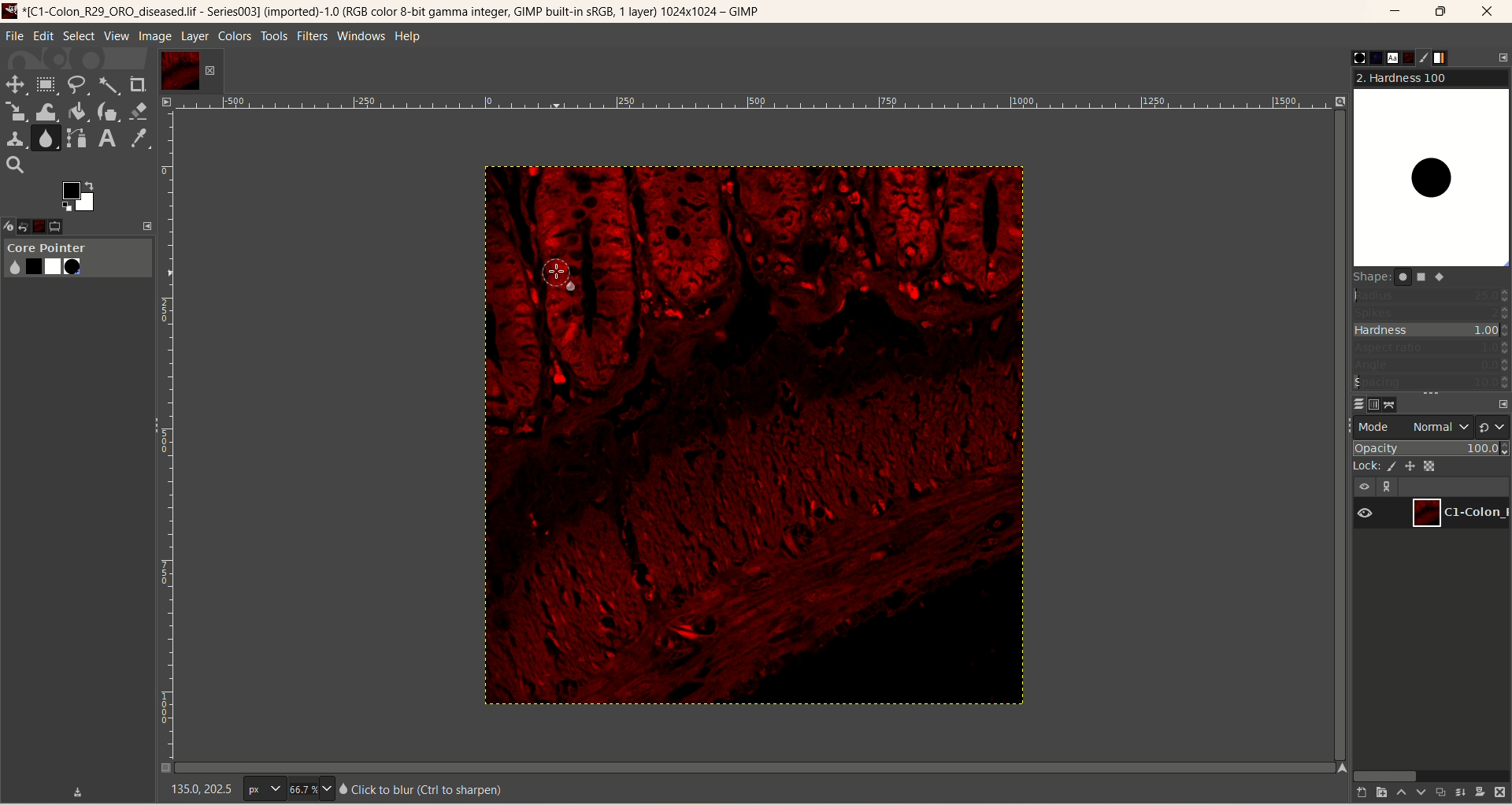 The height and width of the screenshot is (805, 1512). Describe the element at coordinates (139, 139) in the screenshot. I see `color picker tool` at that location.